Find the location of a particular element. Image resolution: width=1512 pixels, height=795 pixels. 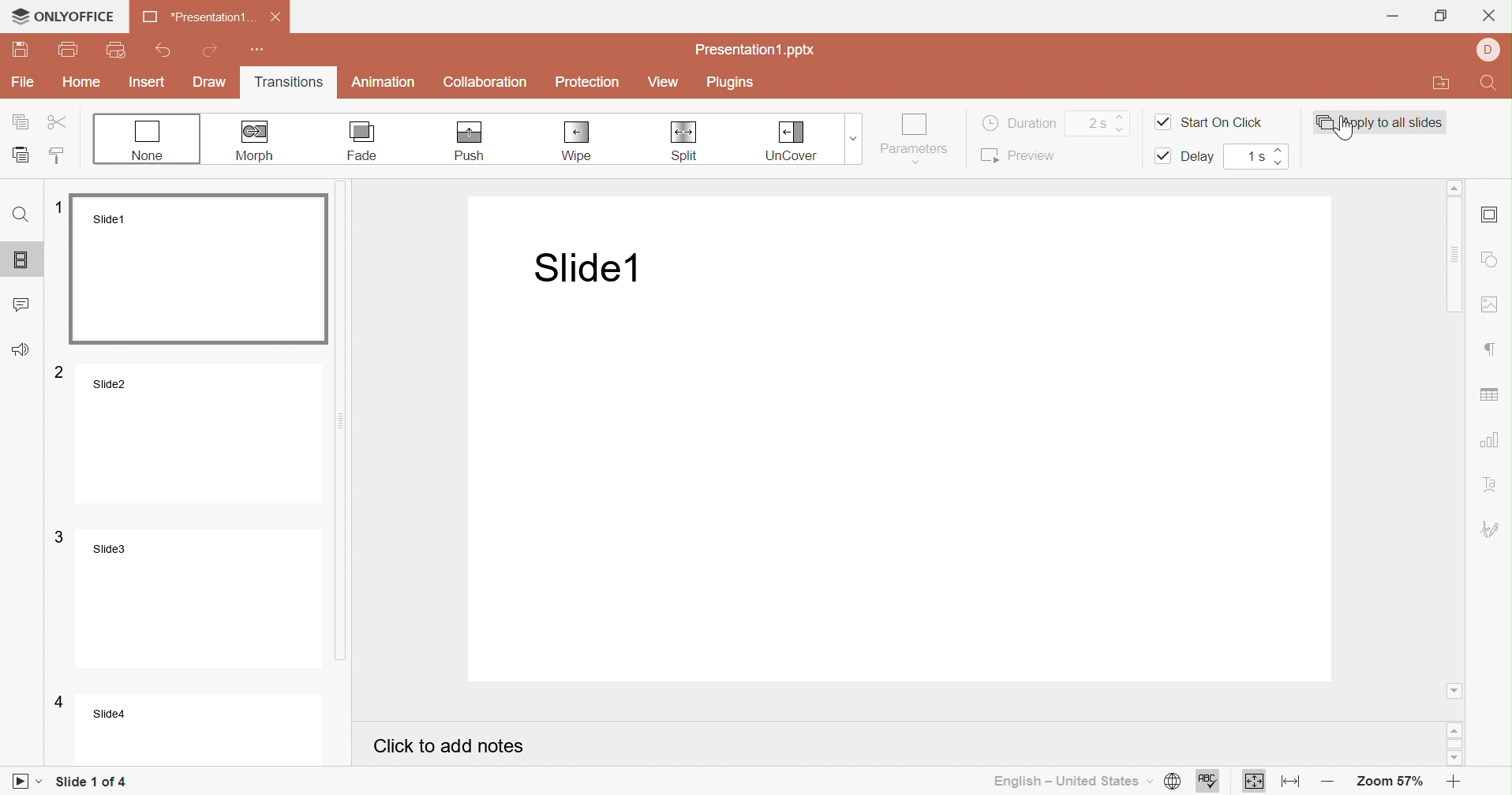

Duration is located at coordinates (1019, 121).